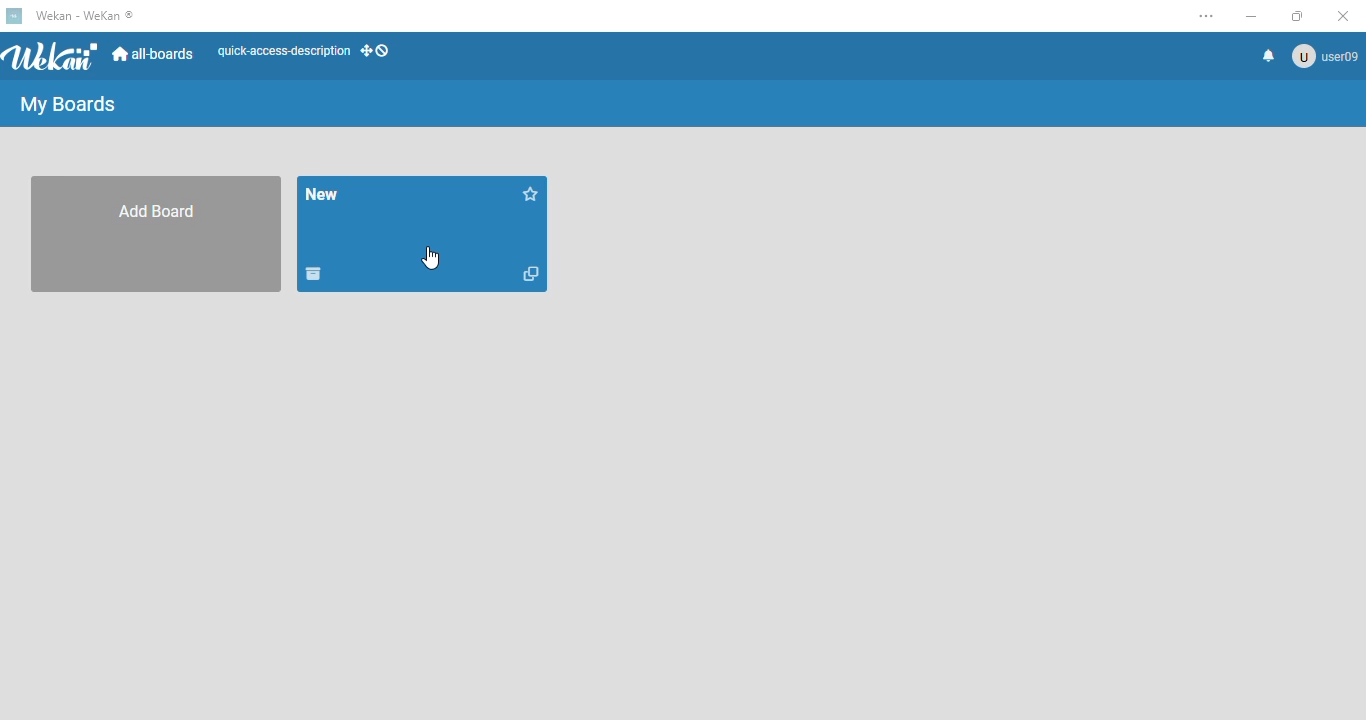  I want to click on show-desktop-drag-handles, so click(375, 50).